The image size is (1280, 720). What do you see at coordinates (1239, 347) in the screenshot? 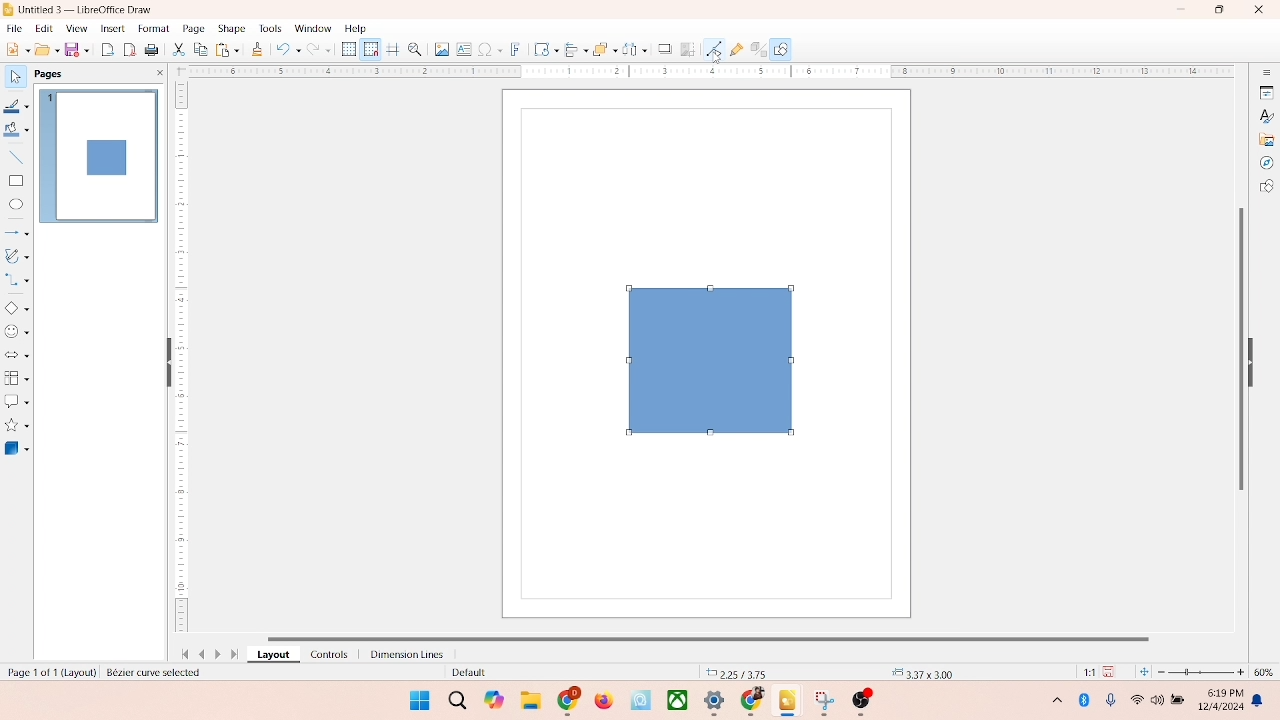
I see `vertical scroll bar` at bounding box center [1239, 347].